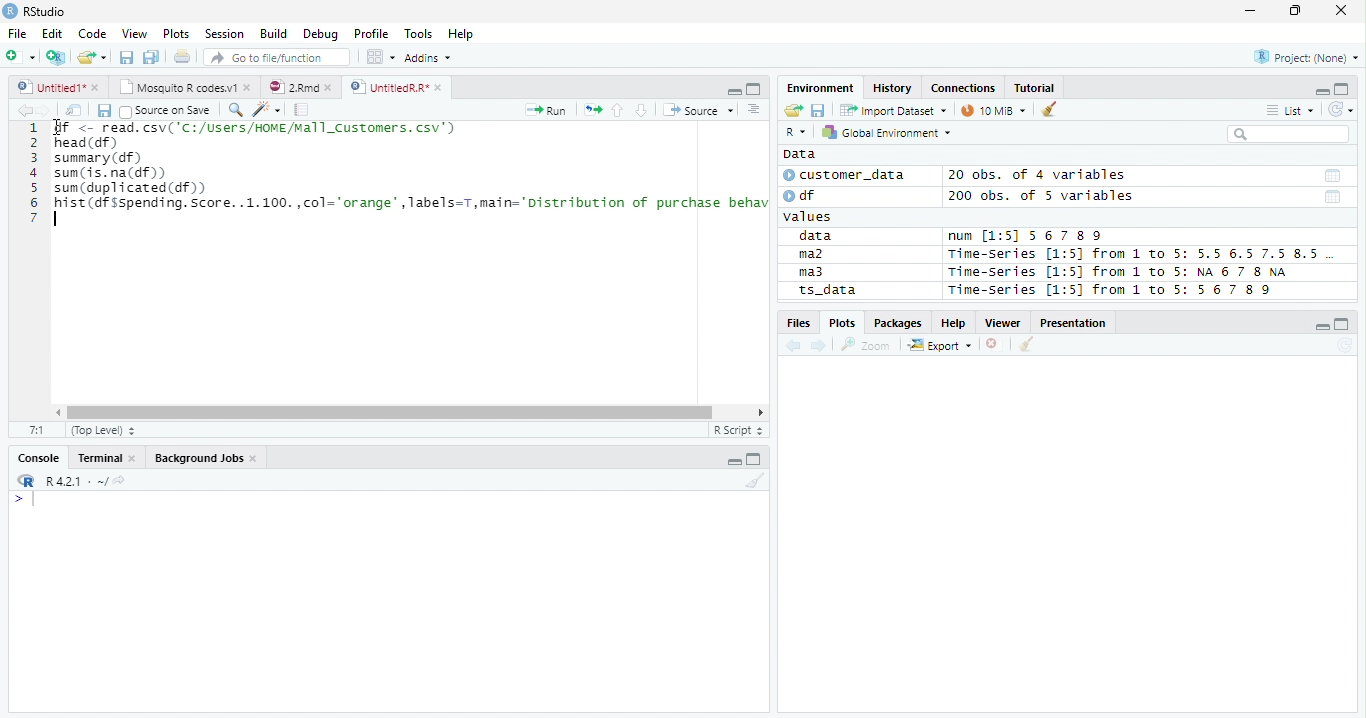  Describe the element at coordinates (1112, 290) in the screenshot. I see `Time-Series [1:5] from 1 to 5: 56 7 8 9` at that location.